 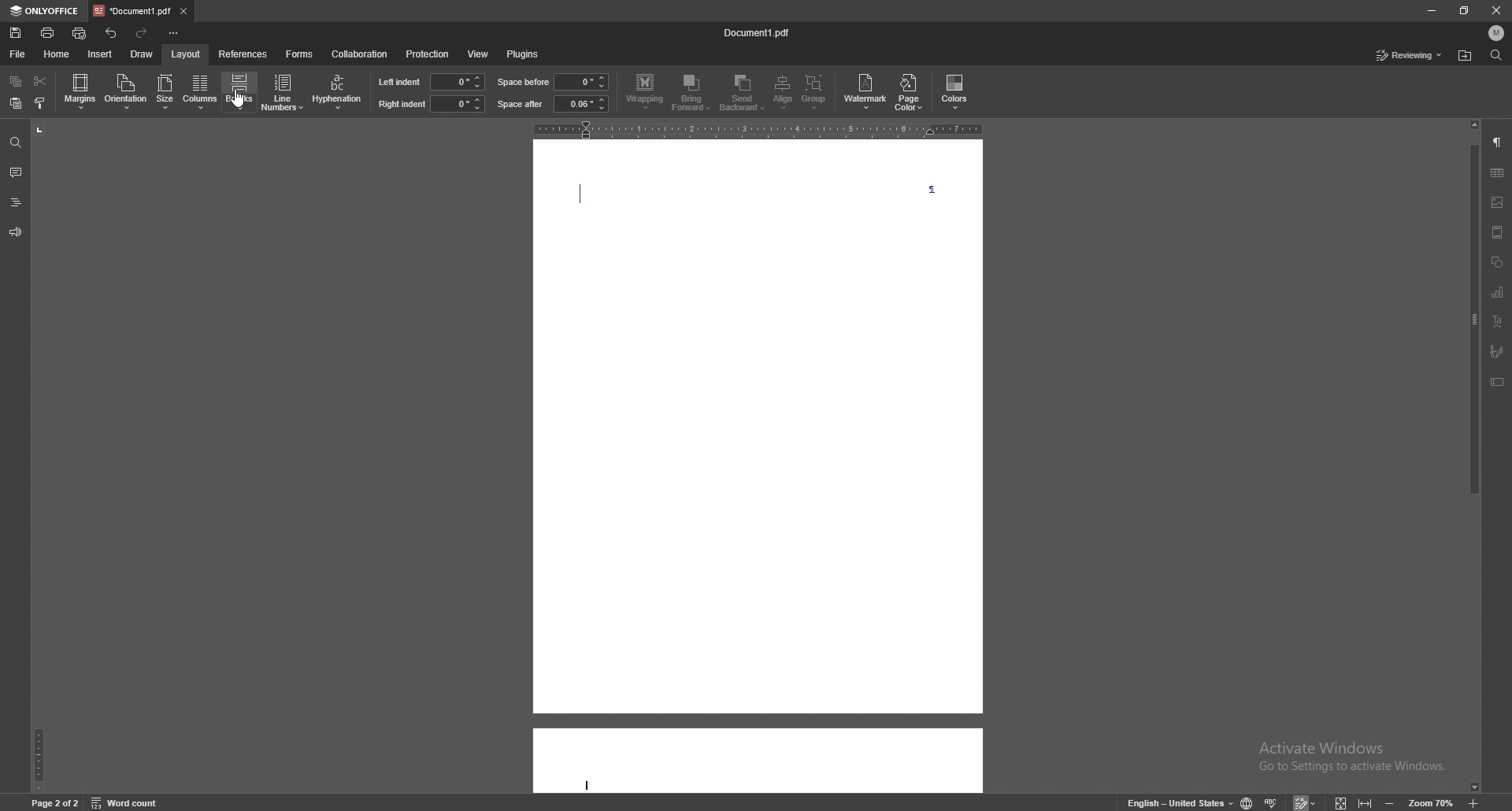 I want to click on copy, so click(x=16, y=81).